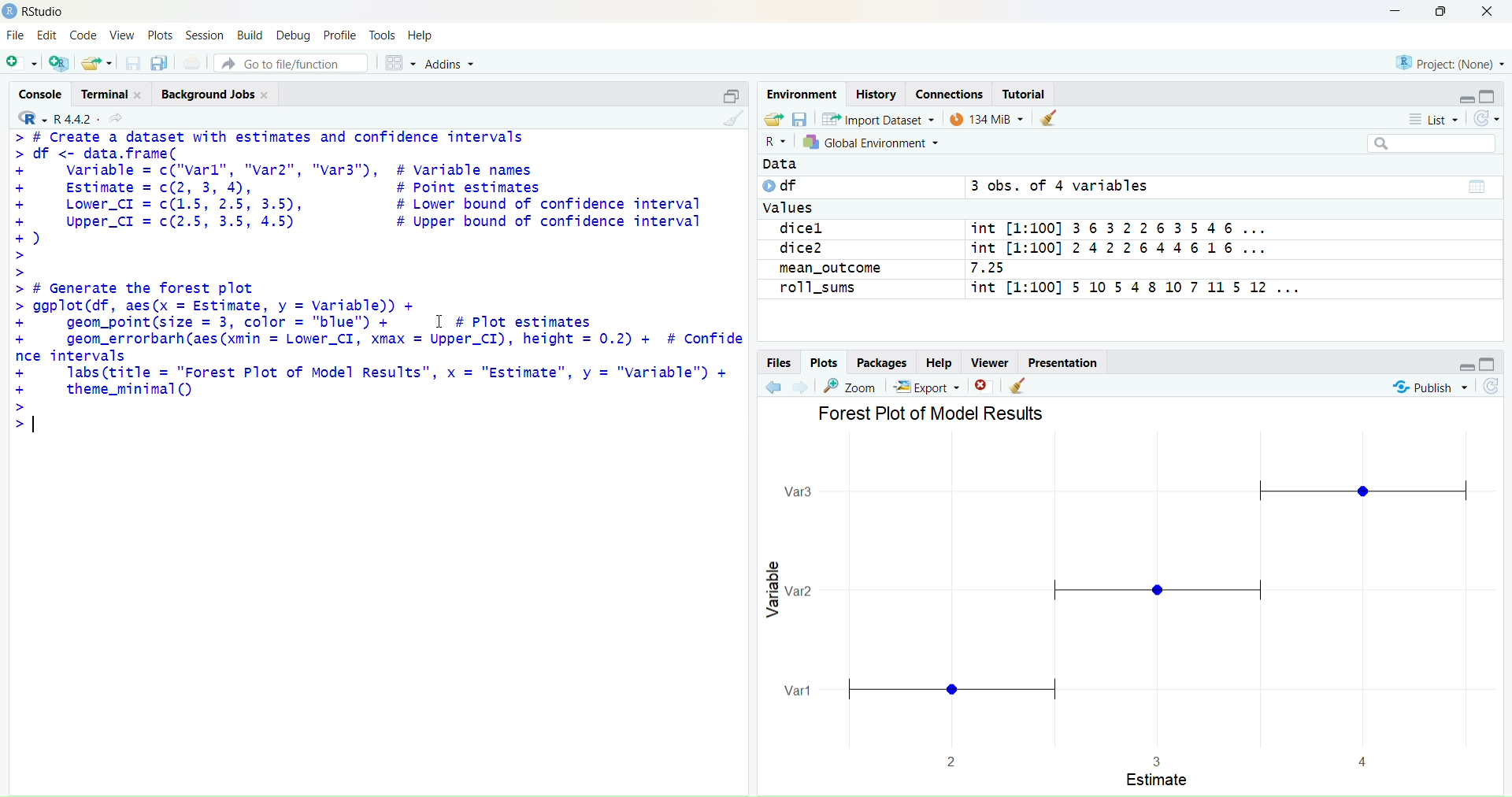 The image size is (1512, 797). I want to click on History, so click(876, 95).